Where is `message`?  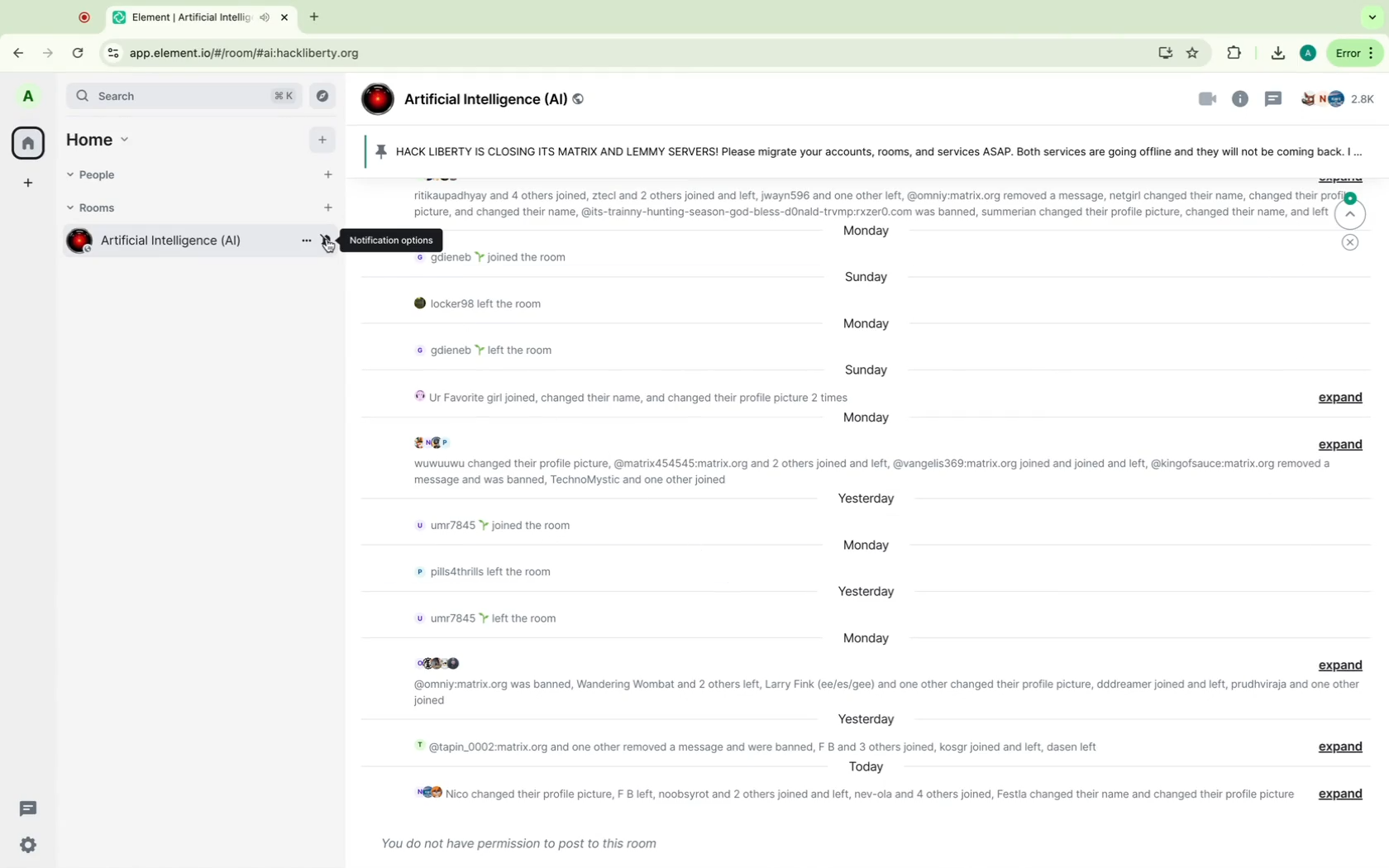 message is located at coordinates (1334, 663).